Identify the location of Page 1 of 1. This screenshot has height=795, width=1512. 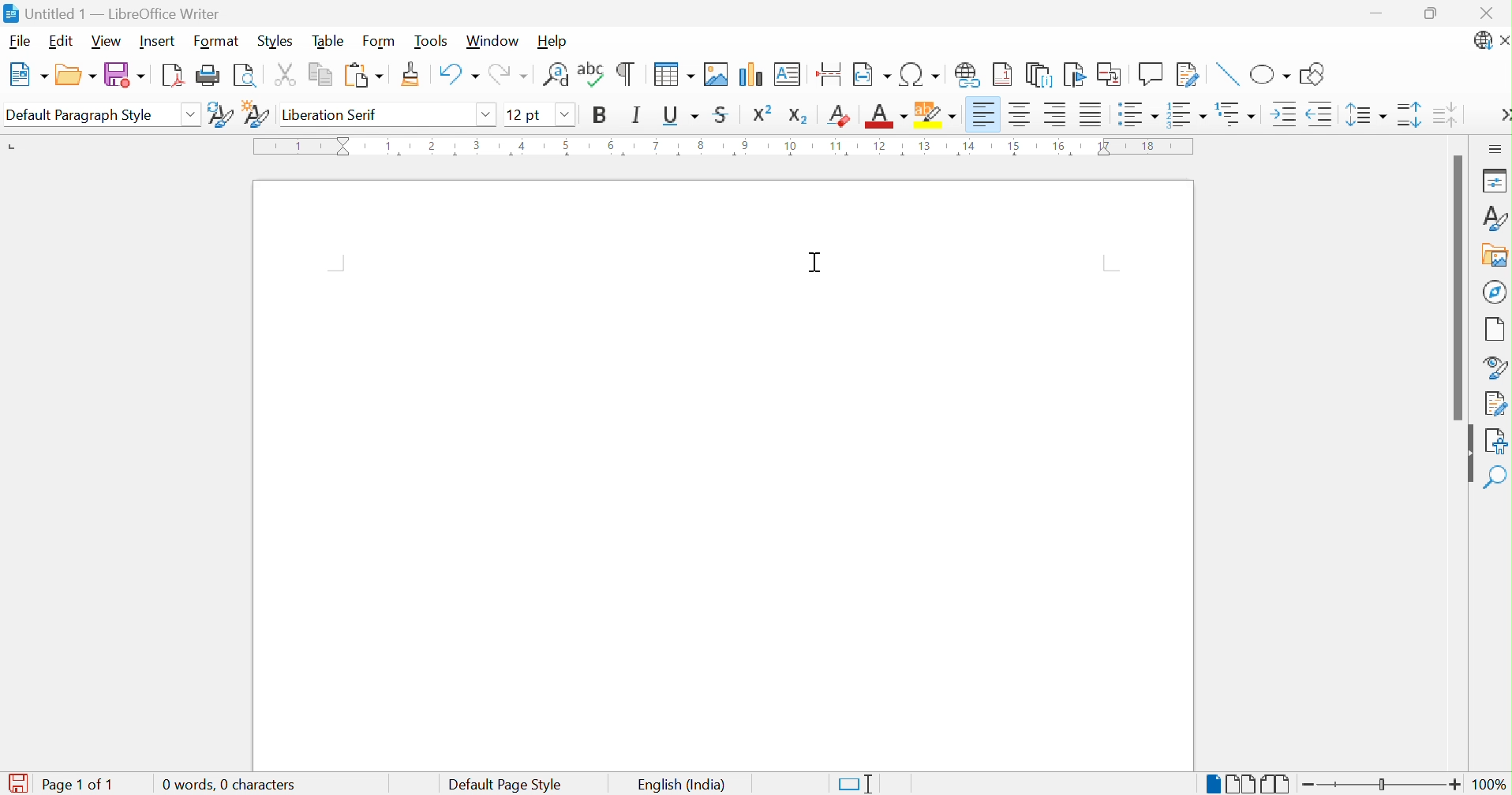
(58, 782).